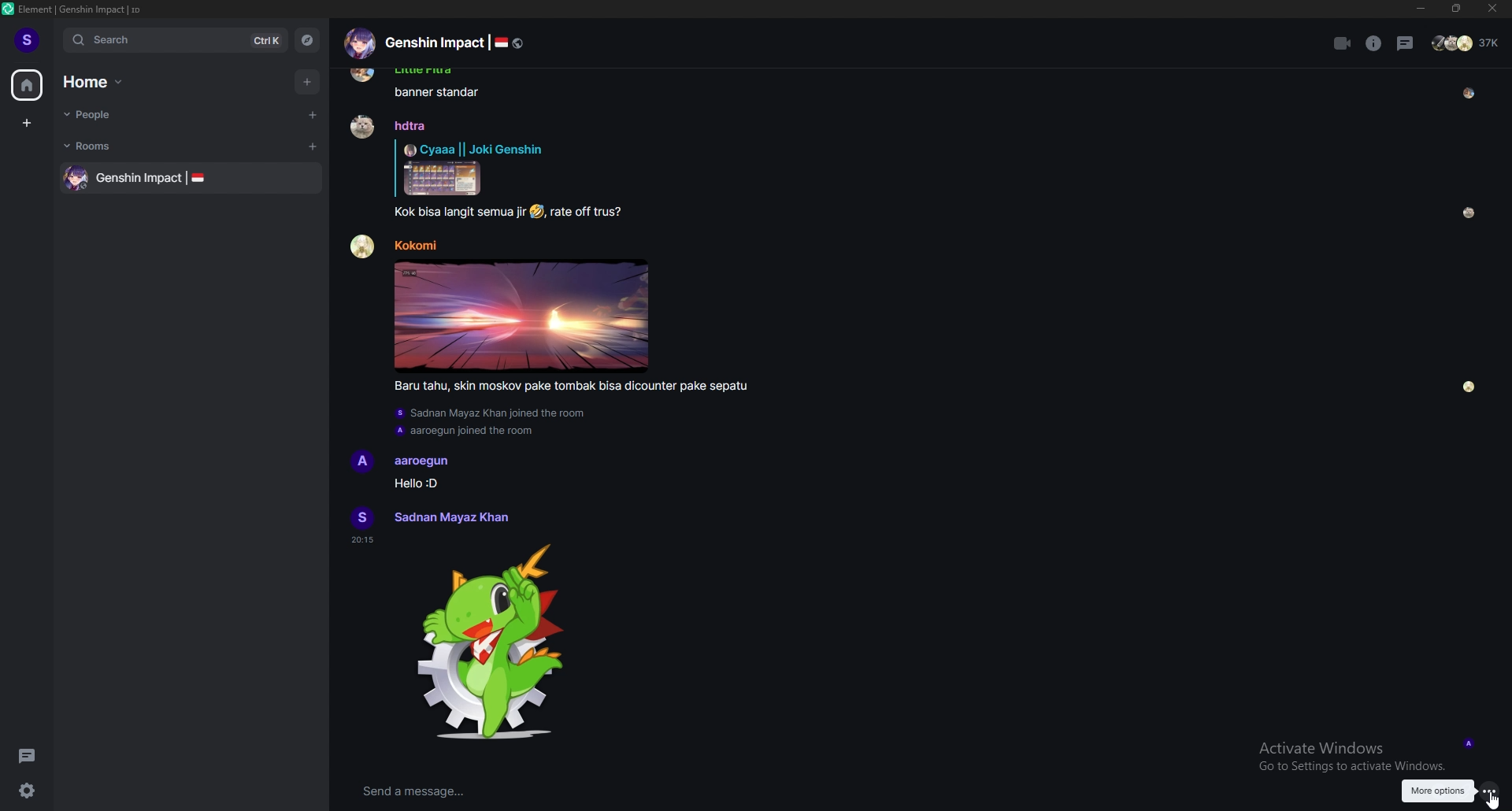  Describe the element at coordinates (362, 540) in the screenshot. I see `20:15` at that location.